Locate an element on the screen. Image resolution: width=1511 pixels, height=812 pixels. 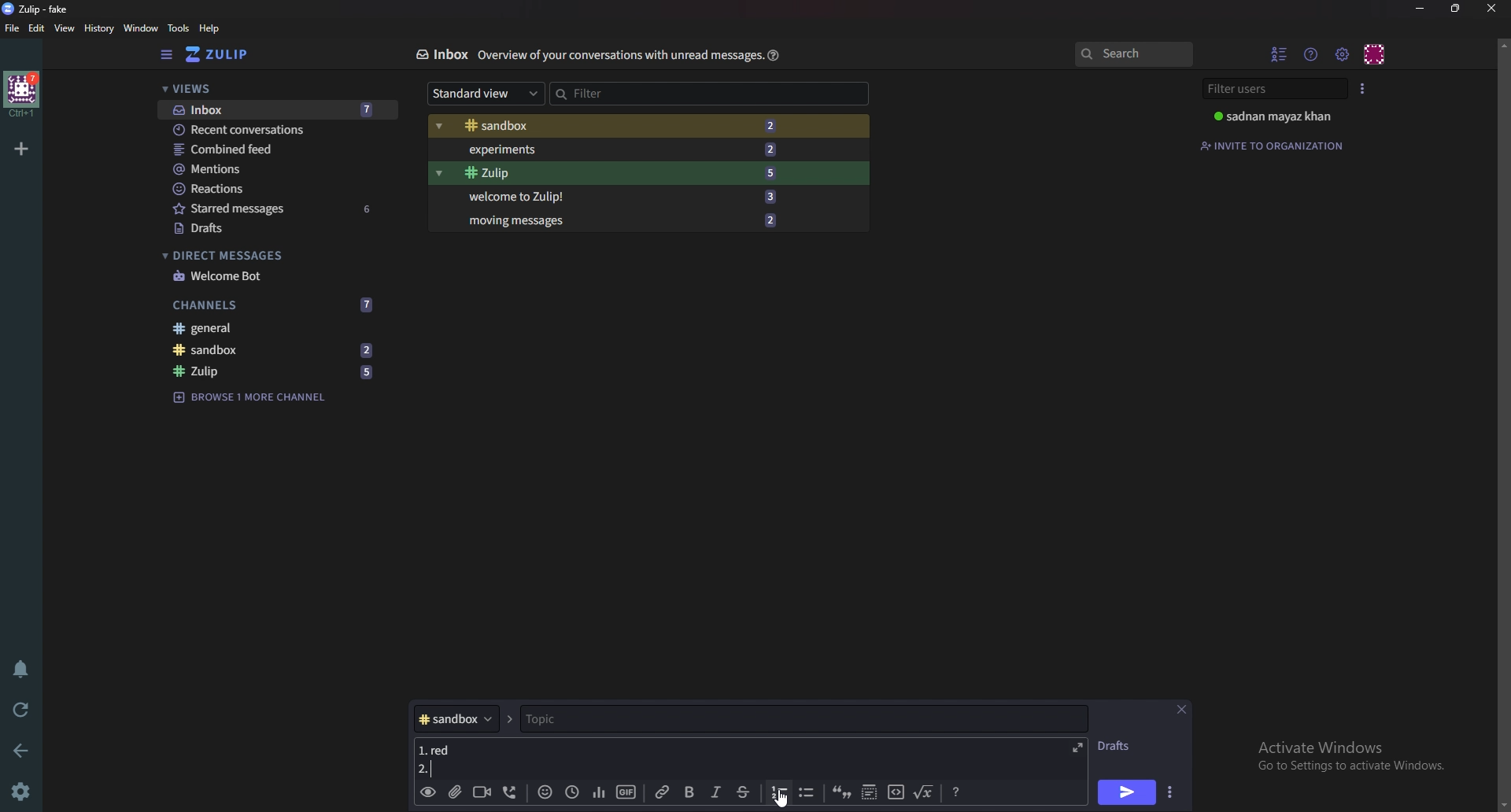
Hide sidebar is located at coordinates (166, 55).